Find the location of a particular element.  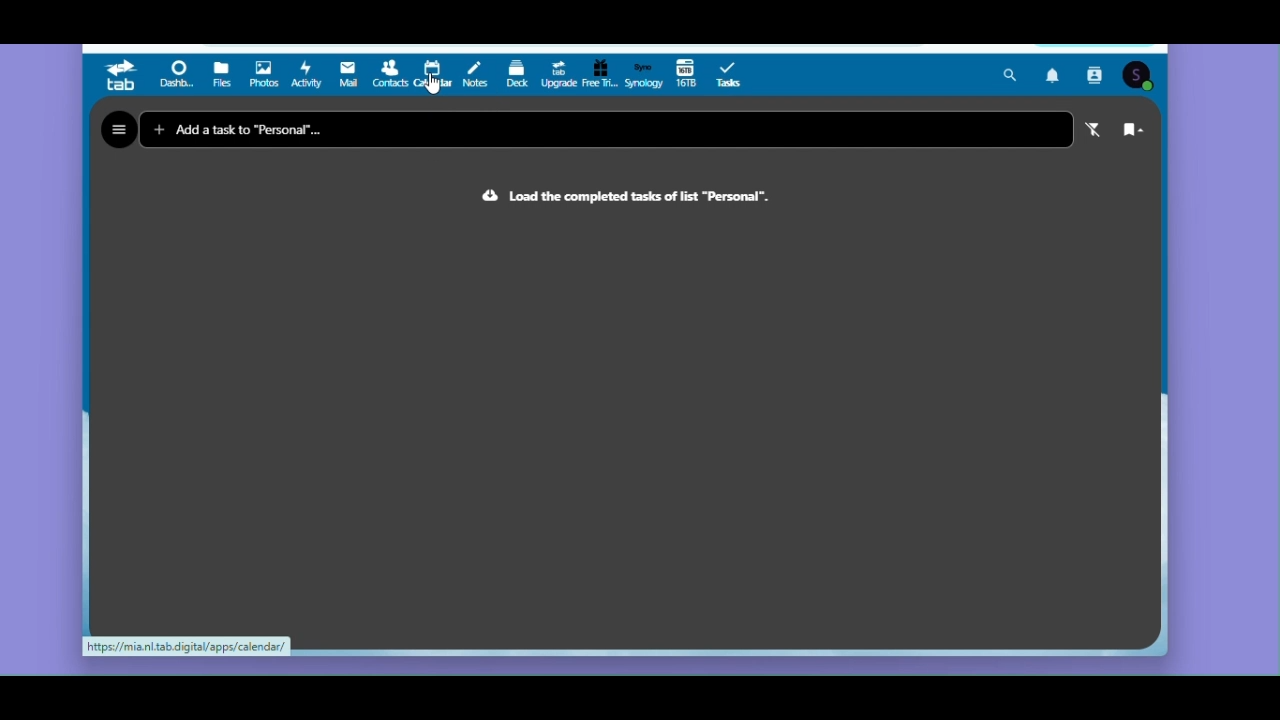

Tasks is located at coordinates (734, 74).